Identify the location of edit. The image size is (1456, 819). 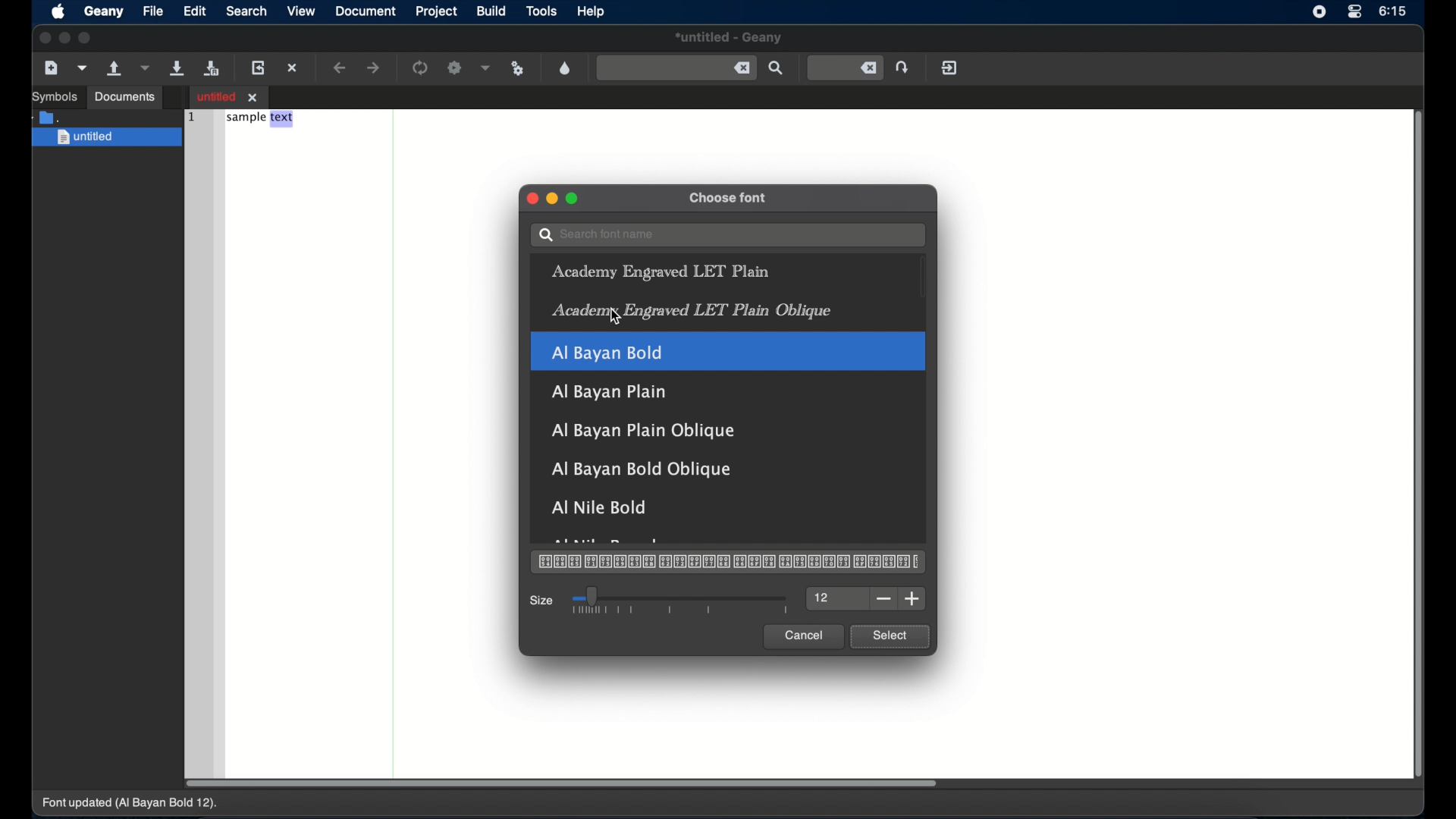
(196, 11).